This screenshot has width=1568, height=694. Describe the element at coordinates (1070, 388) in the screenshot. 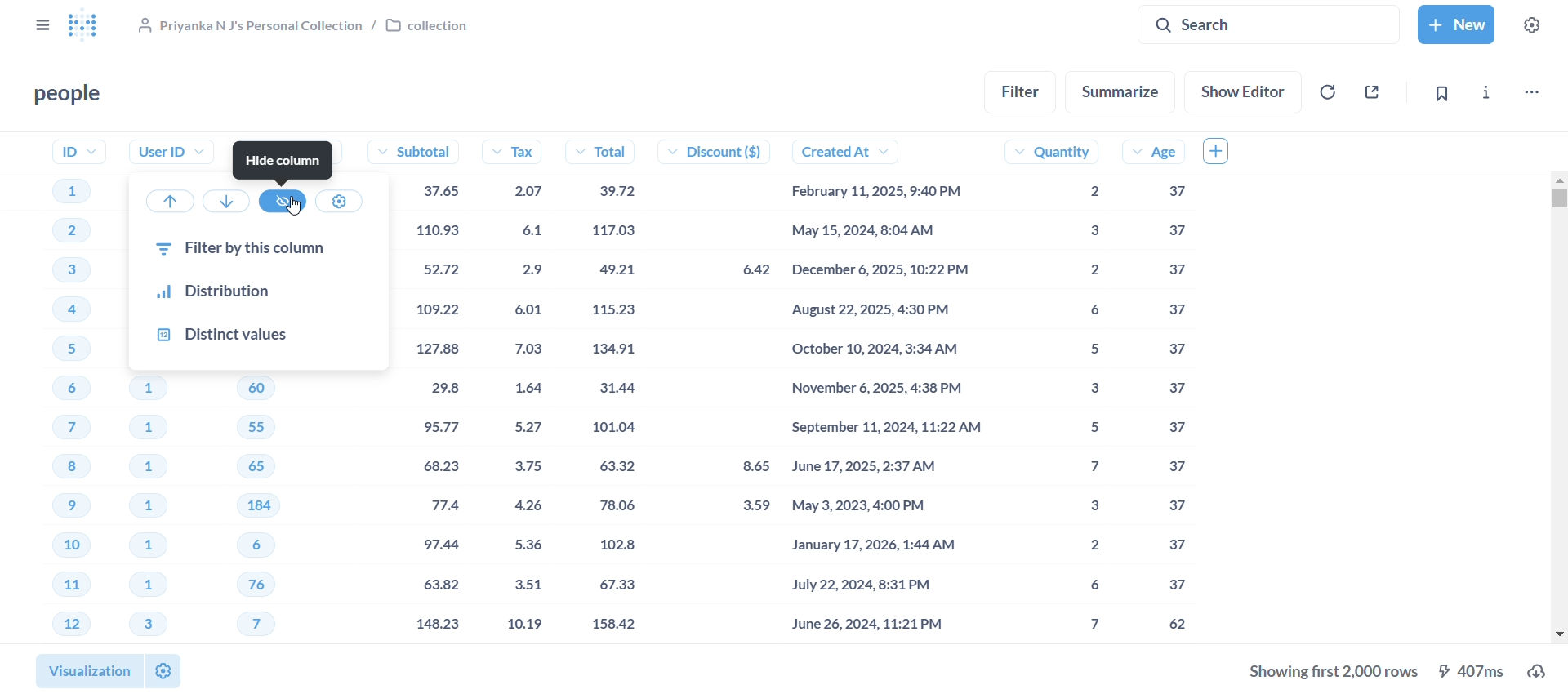

I see `quantity` at that location.